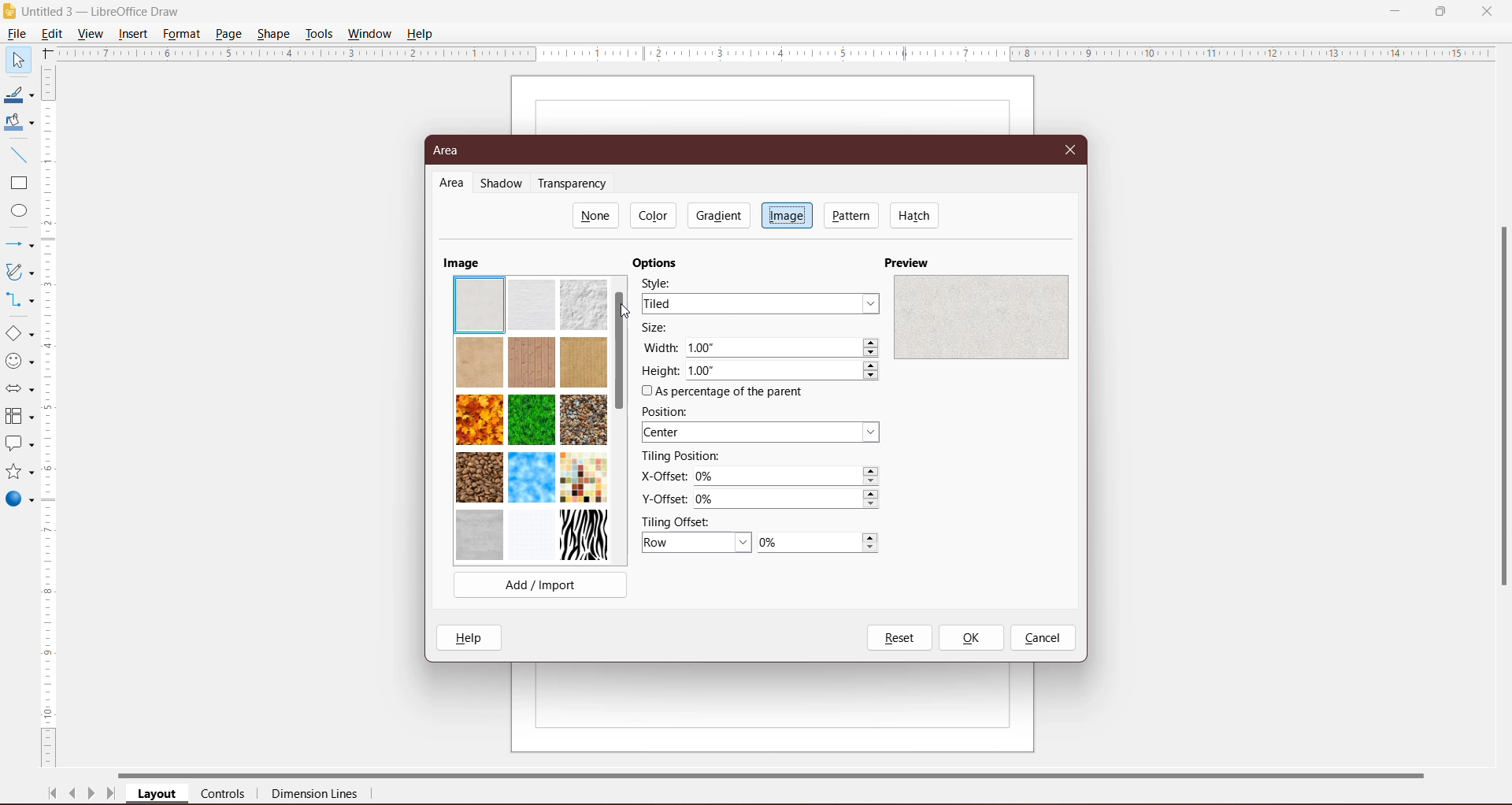  What do you see at coordinates (112, 796) in the screenshot?
I see `Scroll to last page` at bounding box center [112, 796].